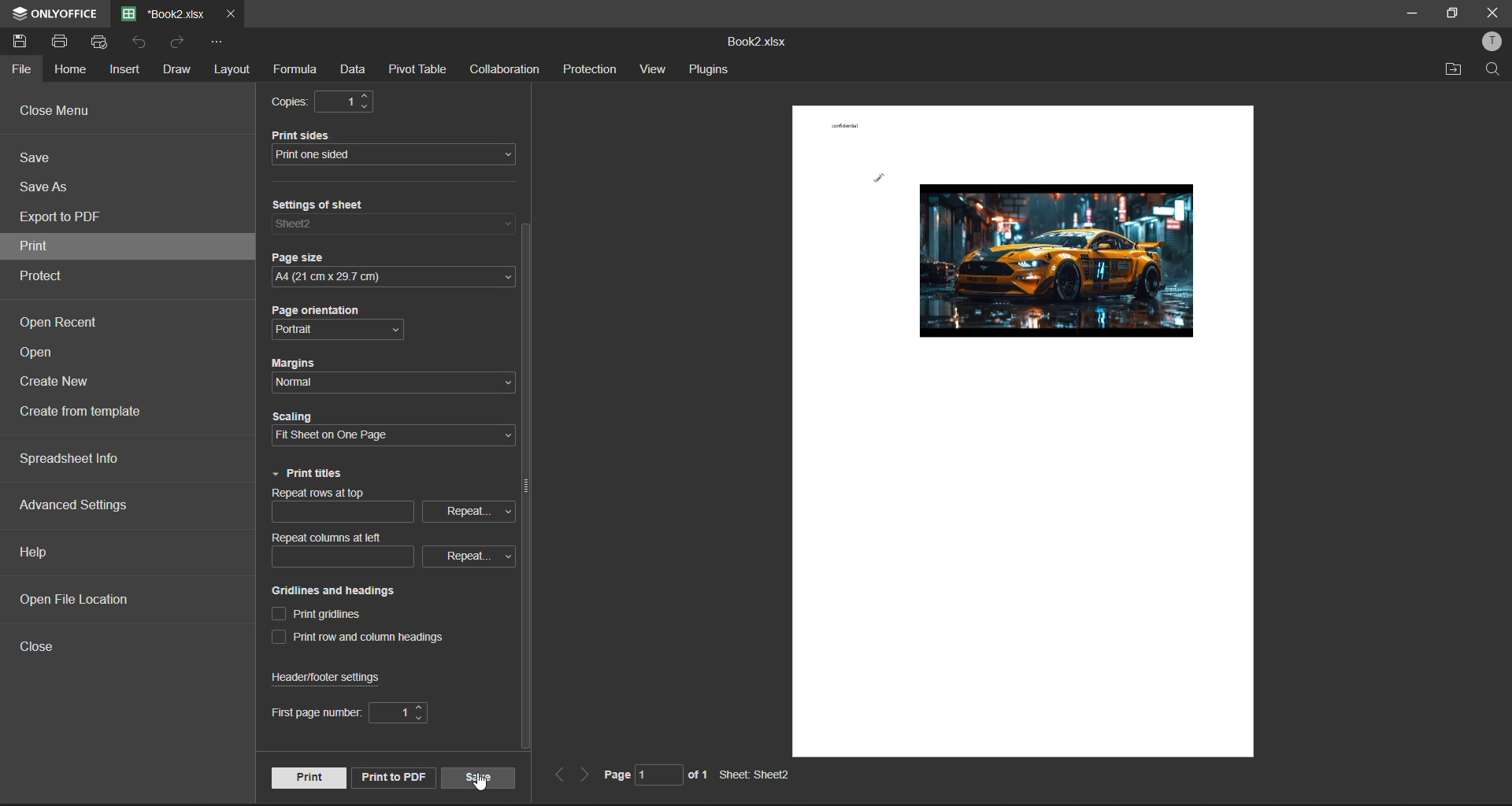 The width and height of the screenshot is (1512, 806). I want to click on open recent, so click(65, 324).